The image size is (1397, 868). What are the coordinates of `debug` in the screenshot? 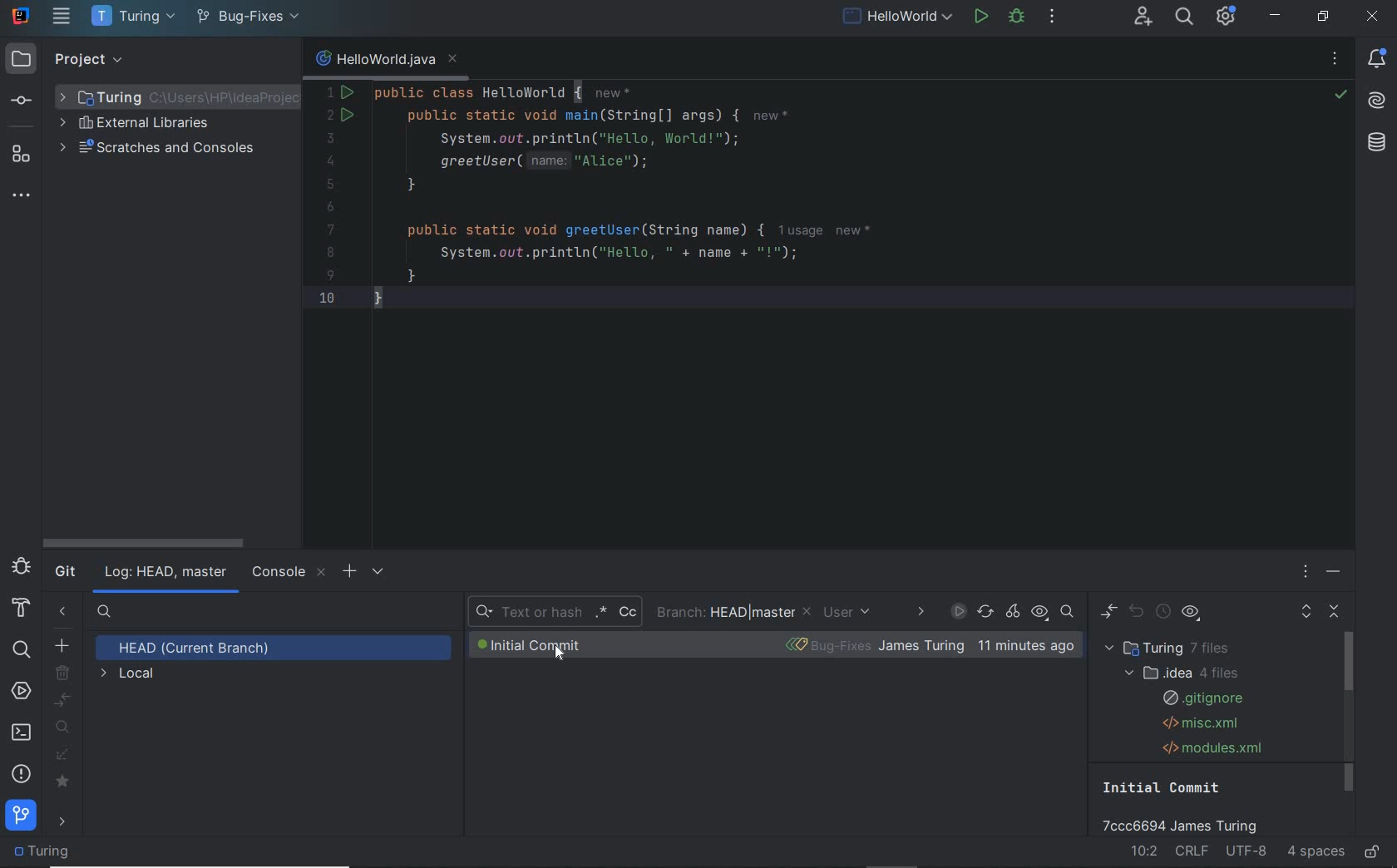 It's located at (21, 566).